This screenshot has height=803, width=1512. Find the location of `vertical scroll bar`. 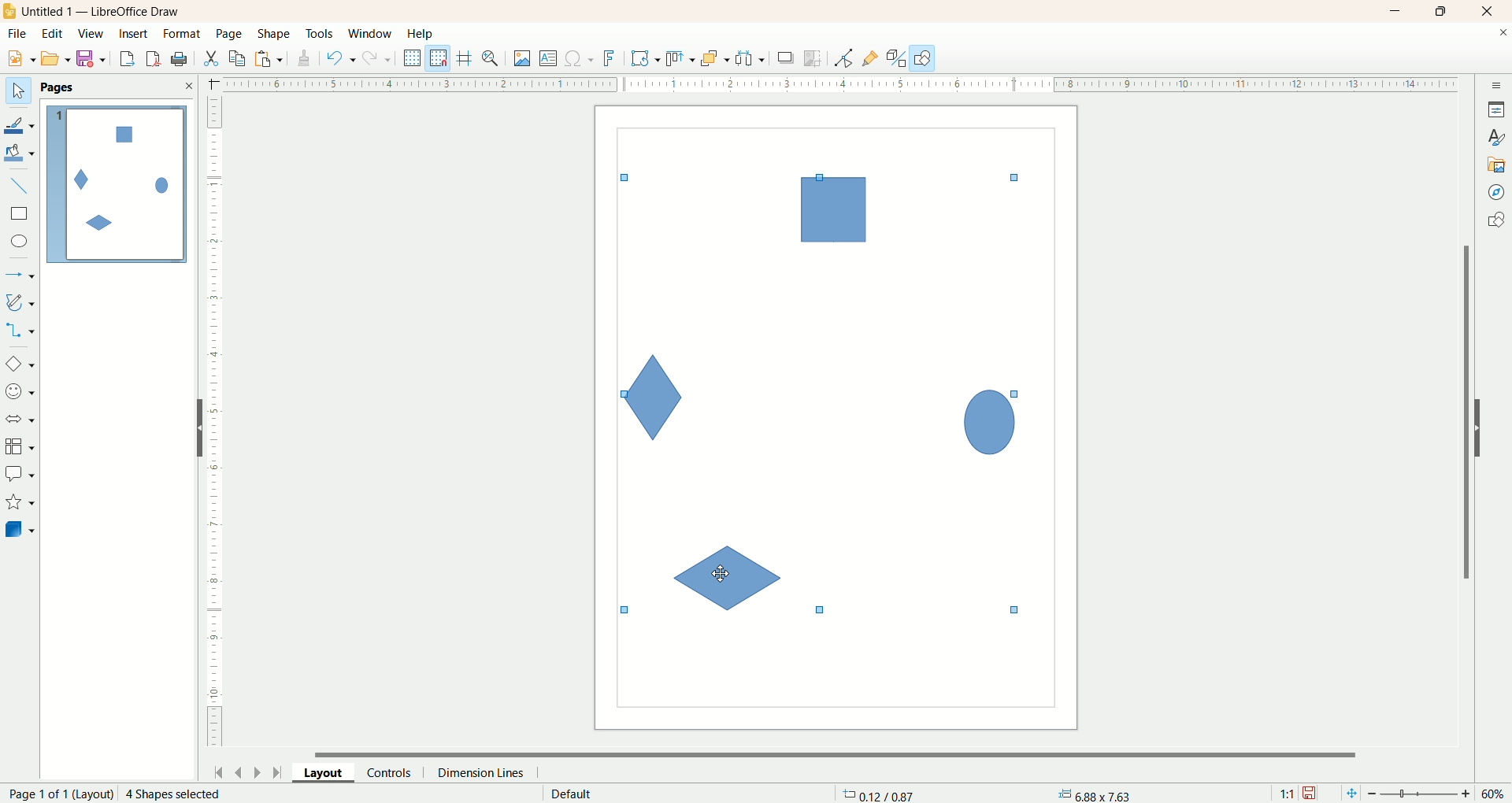

vertical scroll bar is located at coordinates (1463, 412).